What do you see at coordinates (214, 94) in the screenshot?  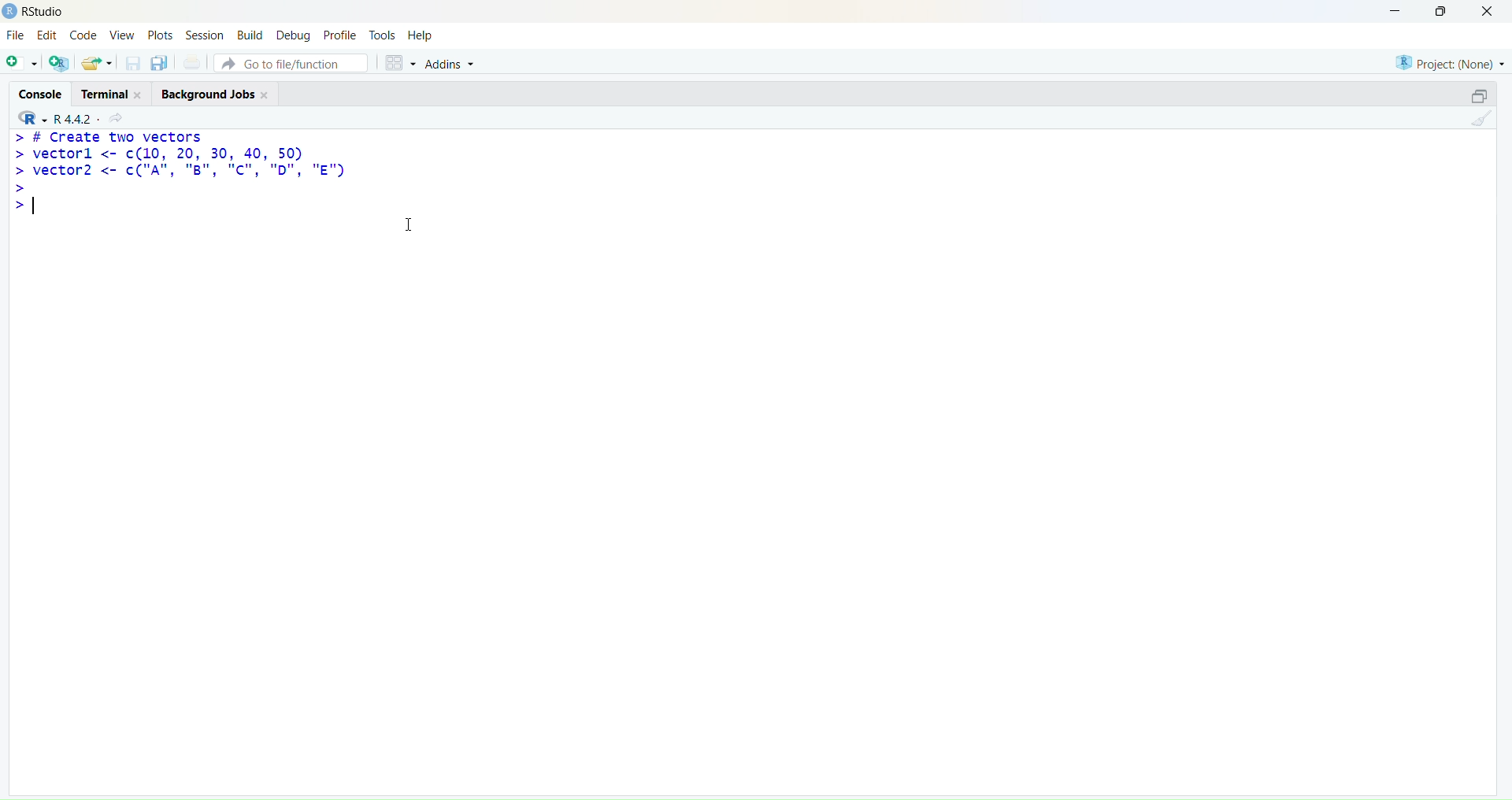 I see `Background Jobs` at bounding box center [214, 94].